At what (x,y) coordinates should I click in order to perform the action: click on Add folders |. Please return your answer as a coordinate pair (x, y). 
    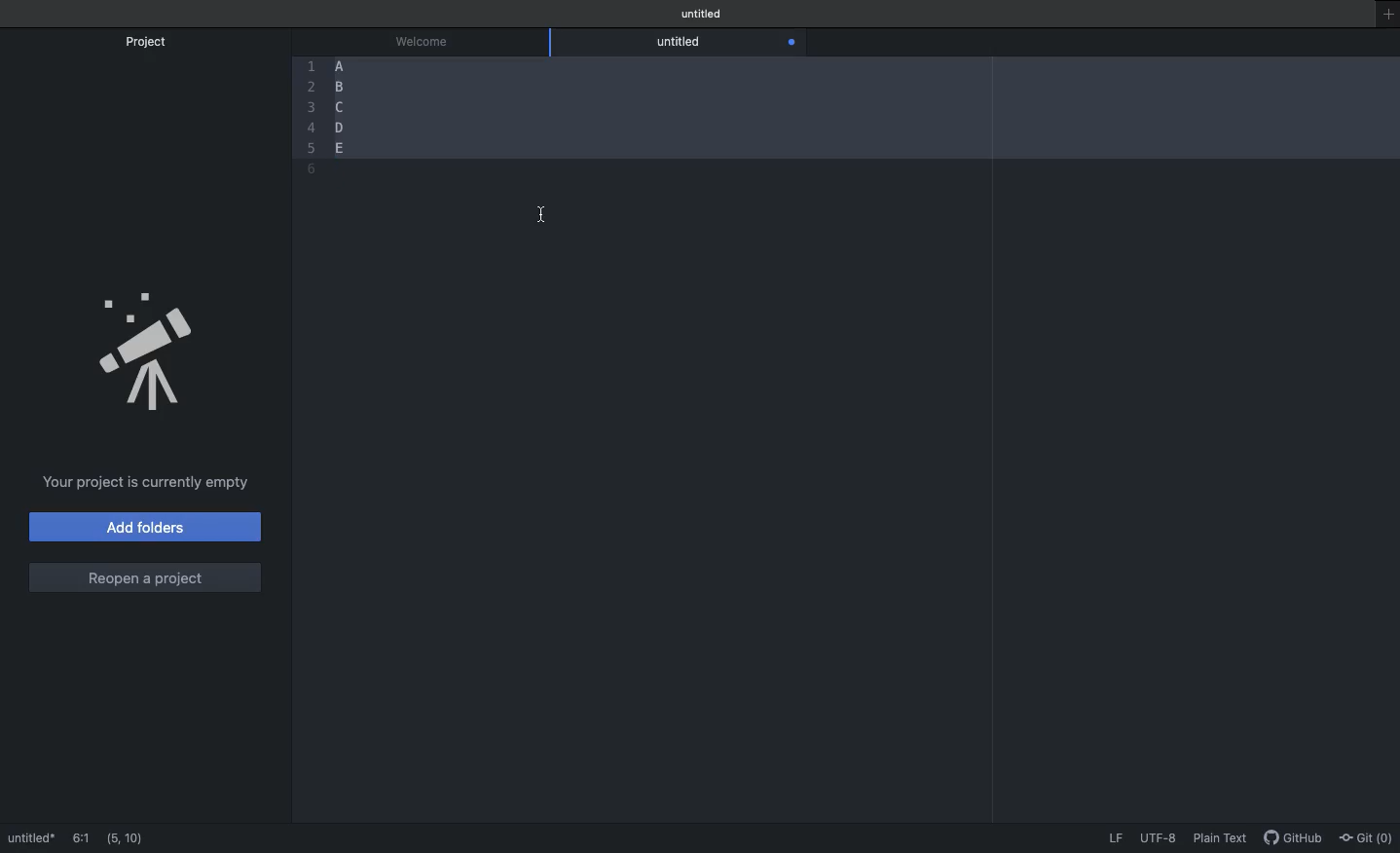
    Looking at the image, I should click on (146, 530).